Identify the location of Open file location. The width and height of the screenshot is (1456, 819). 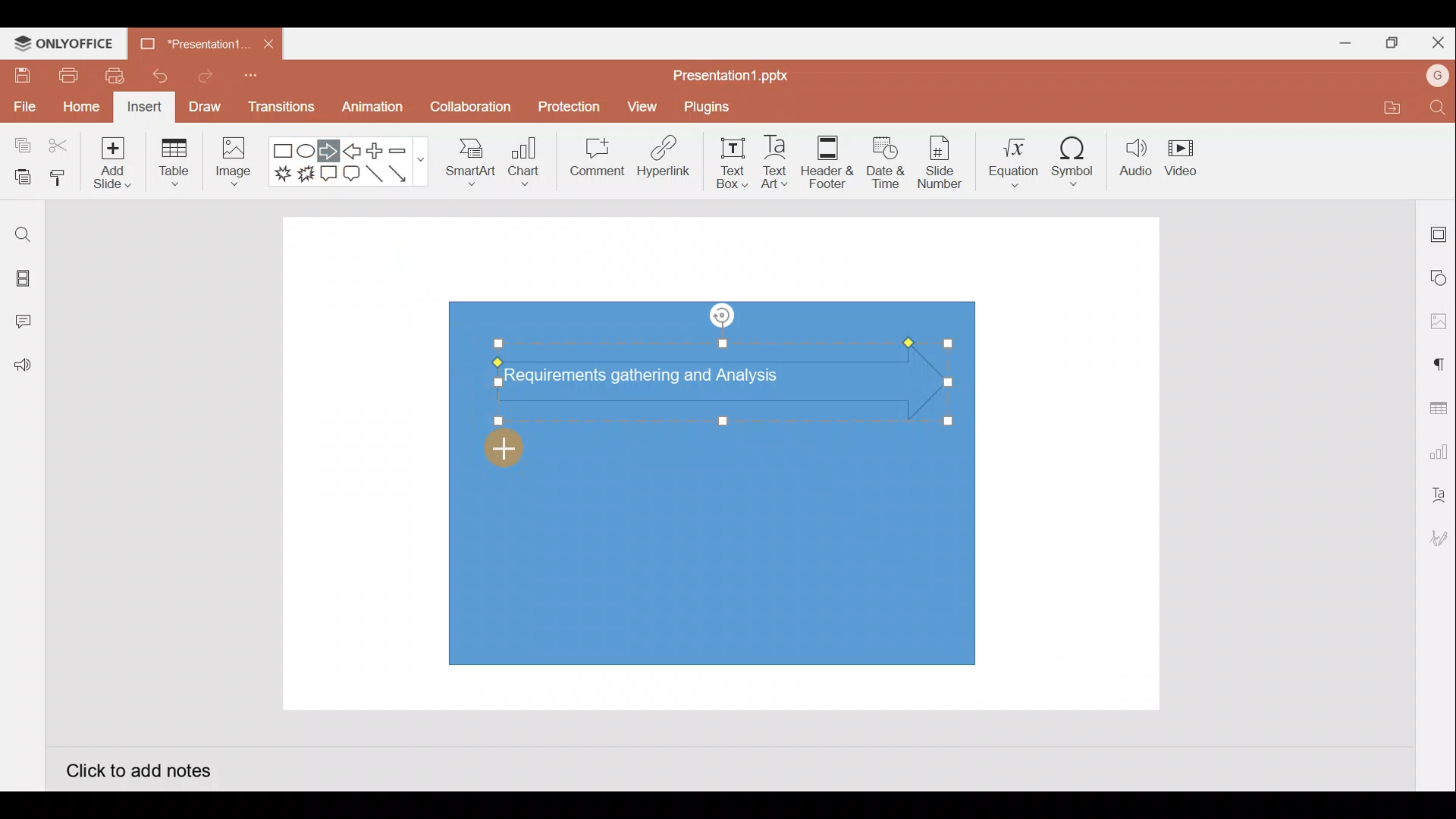
(1389, 107).